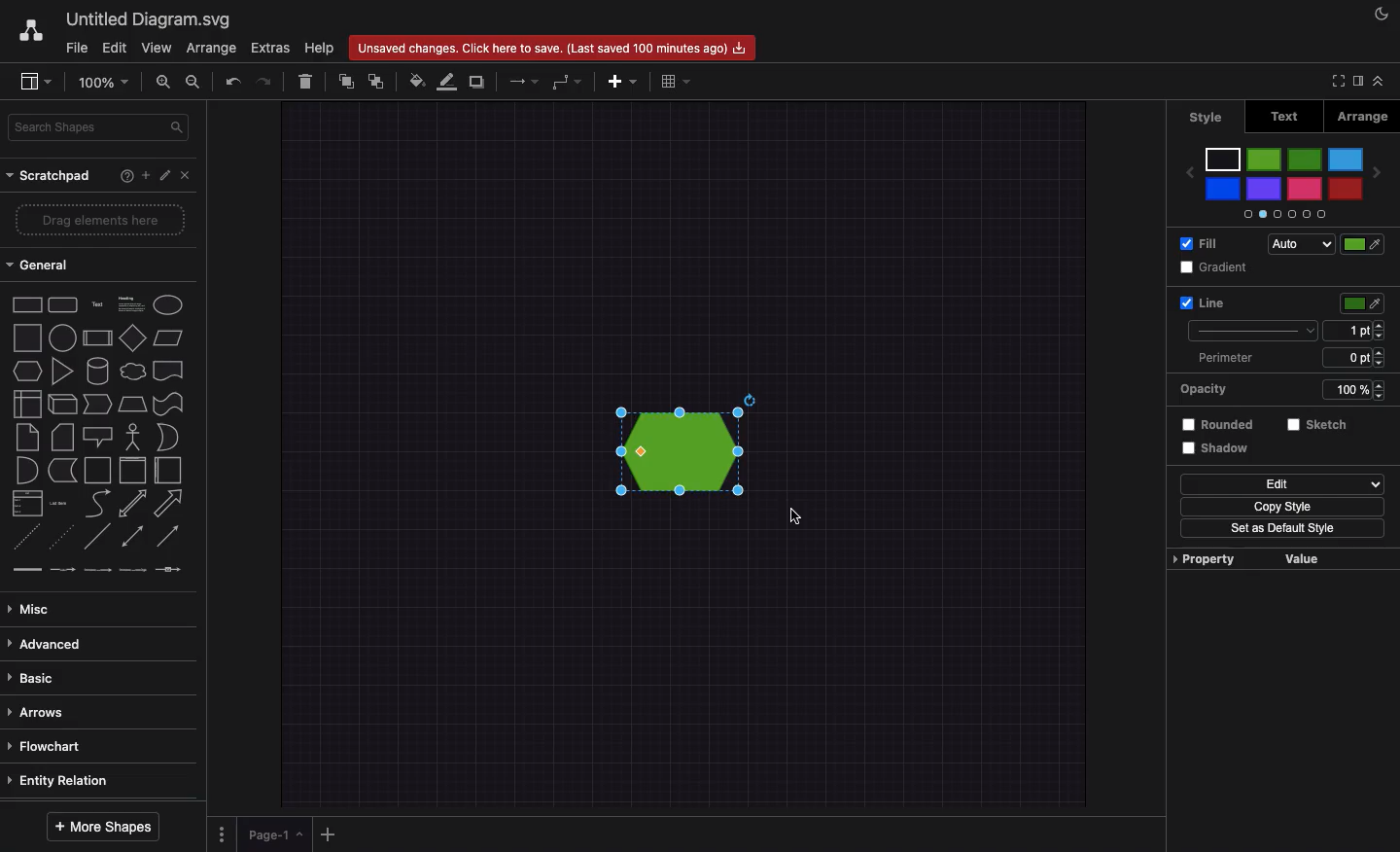 The image size is (1400, 852). I want to click on To the back, so click(376, 81).